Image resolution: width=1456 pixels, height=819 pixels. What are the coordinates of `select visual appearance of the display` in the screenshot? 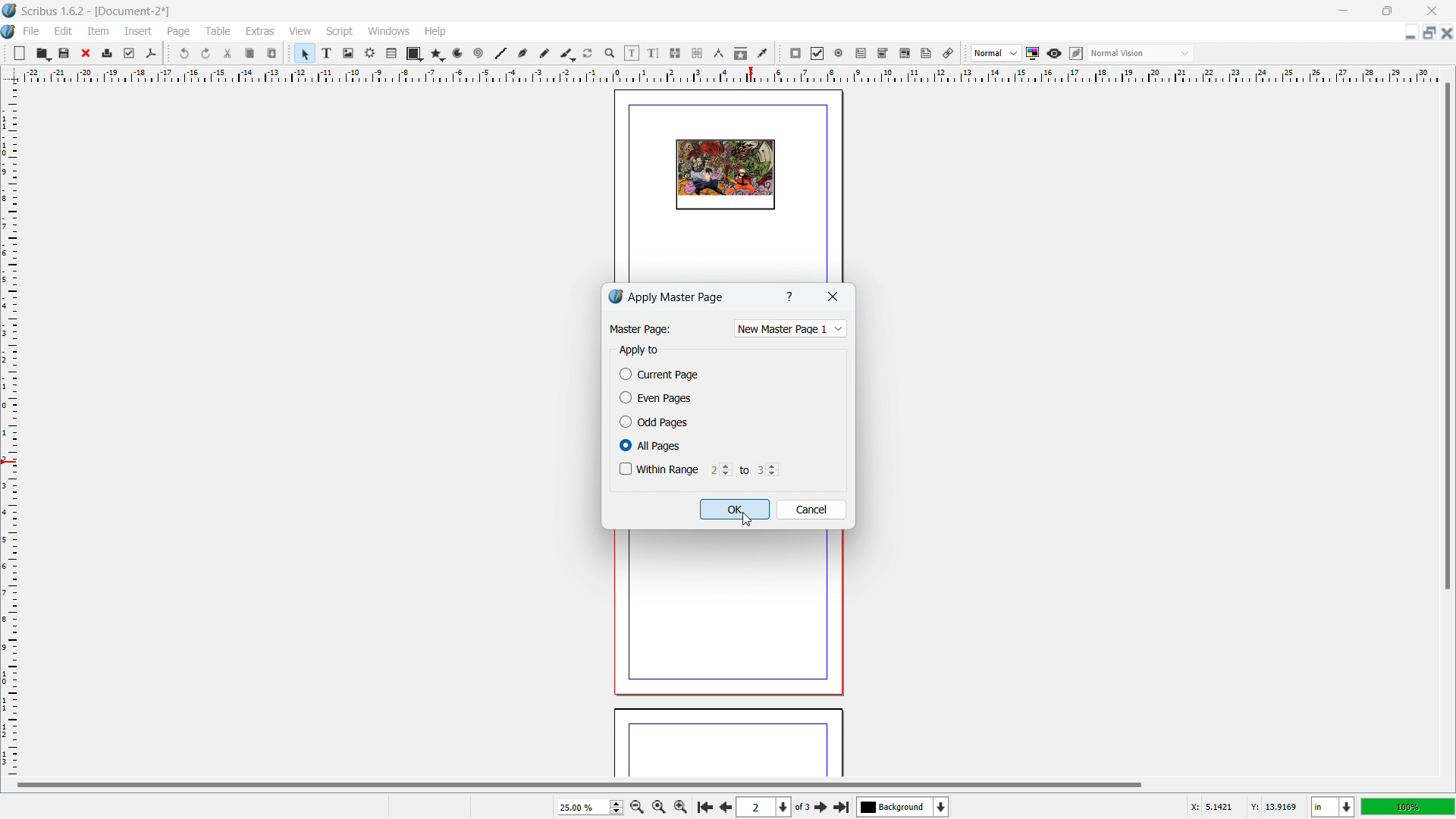 It's located at (1141, 53).